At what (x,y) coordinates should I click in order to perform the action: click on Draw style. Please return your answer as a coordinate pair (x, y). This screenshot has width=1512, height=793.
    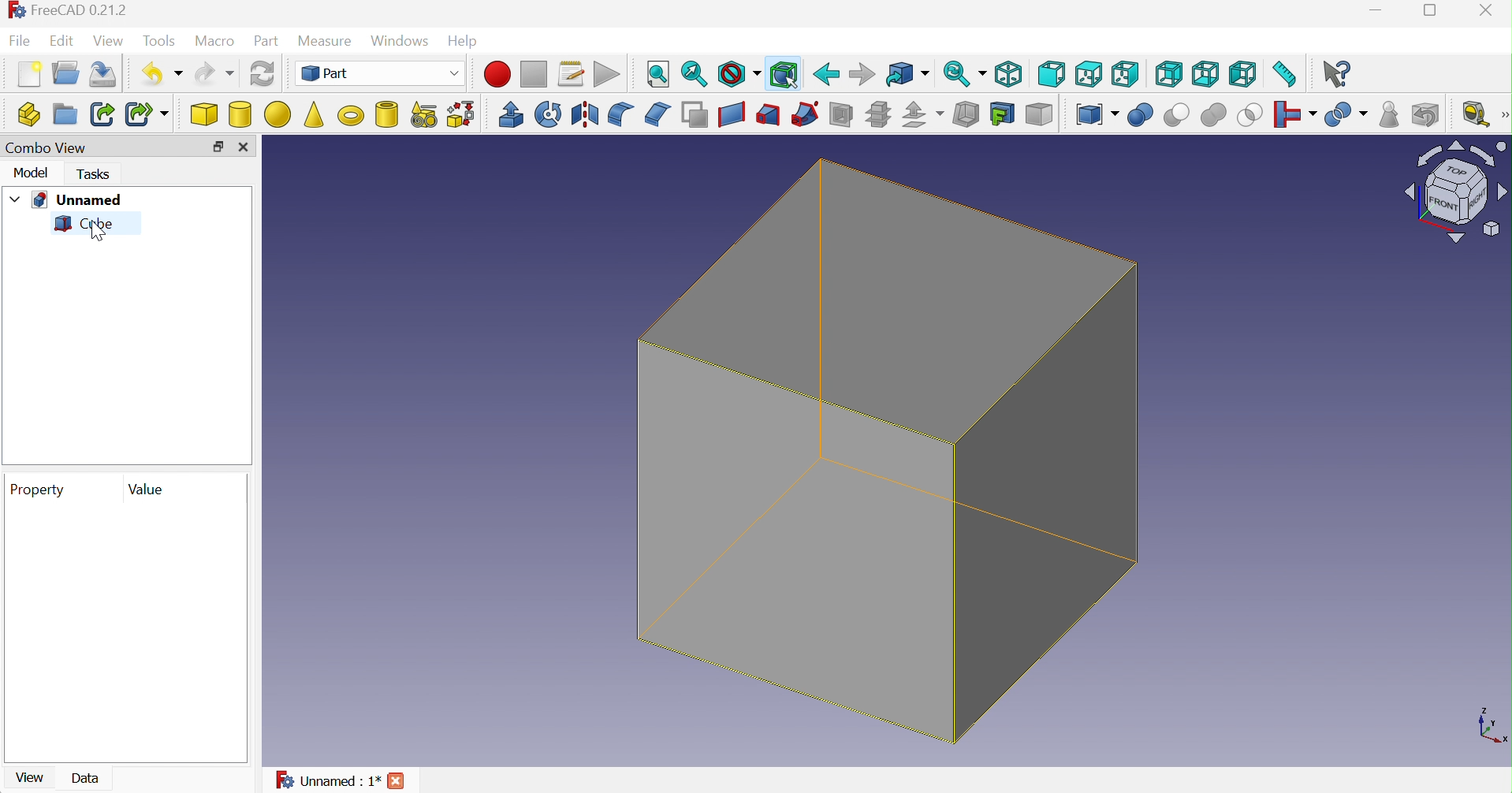
    Looking at the image, I should click on (740, 73).